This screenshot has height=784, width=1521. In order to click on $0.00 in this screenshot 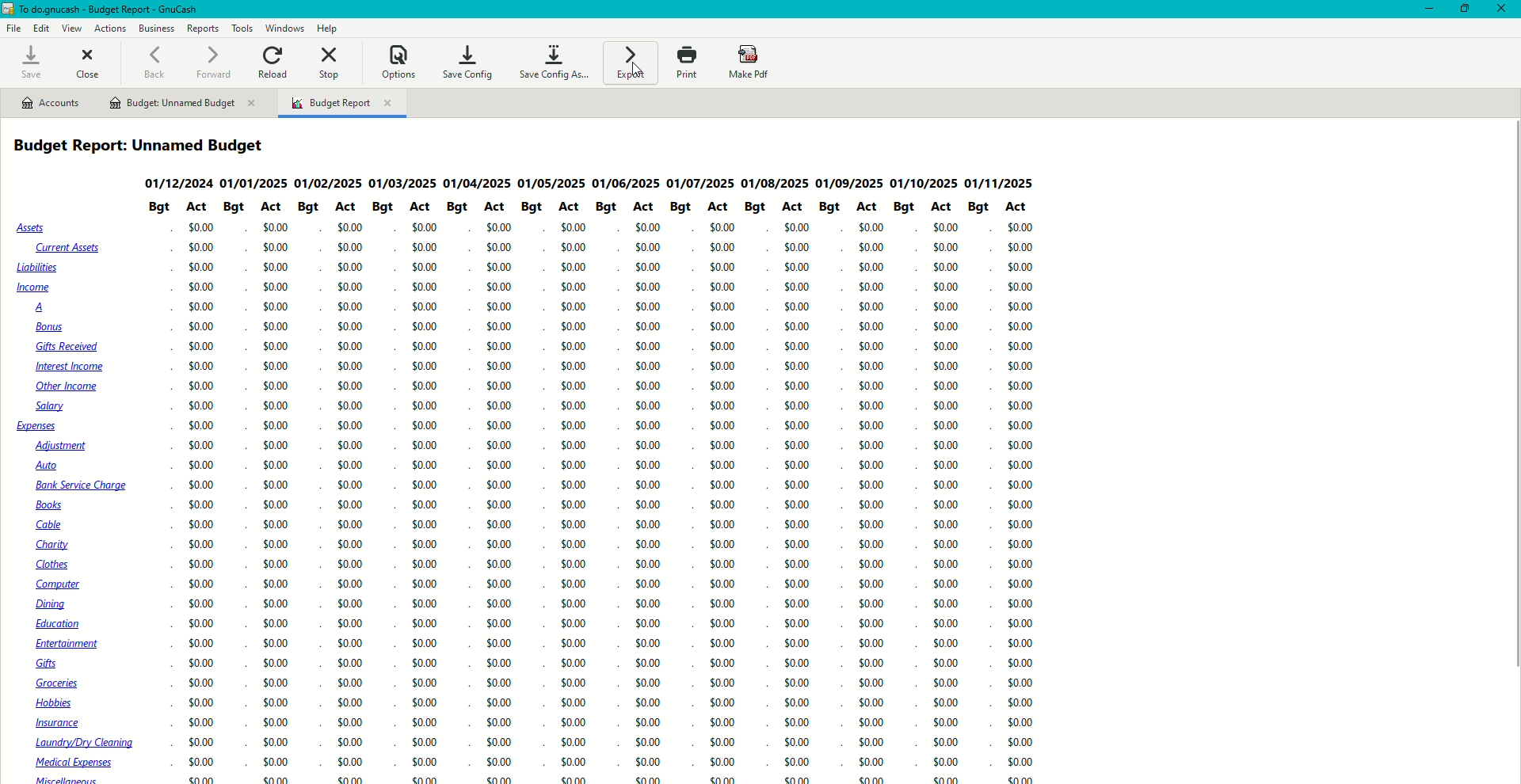, I will do `click(430, 405)`.